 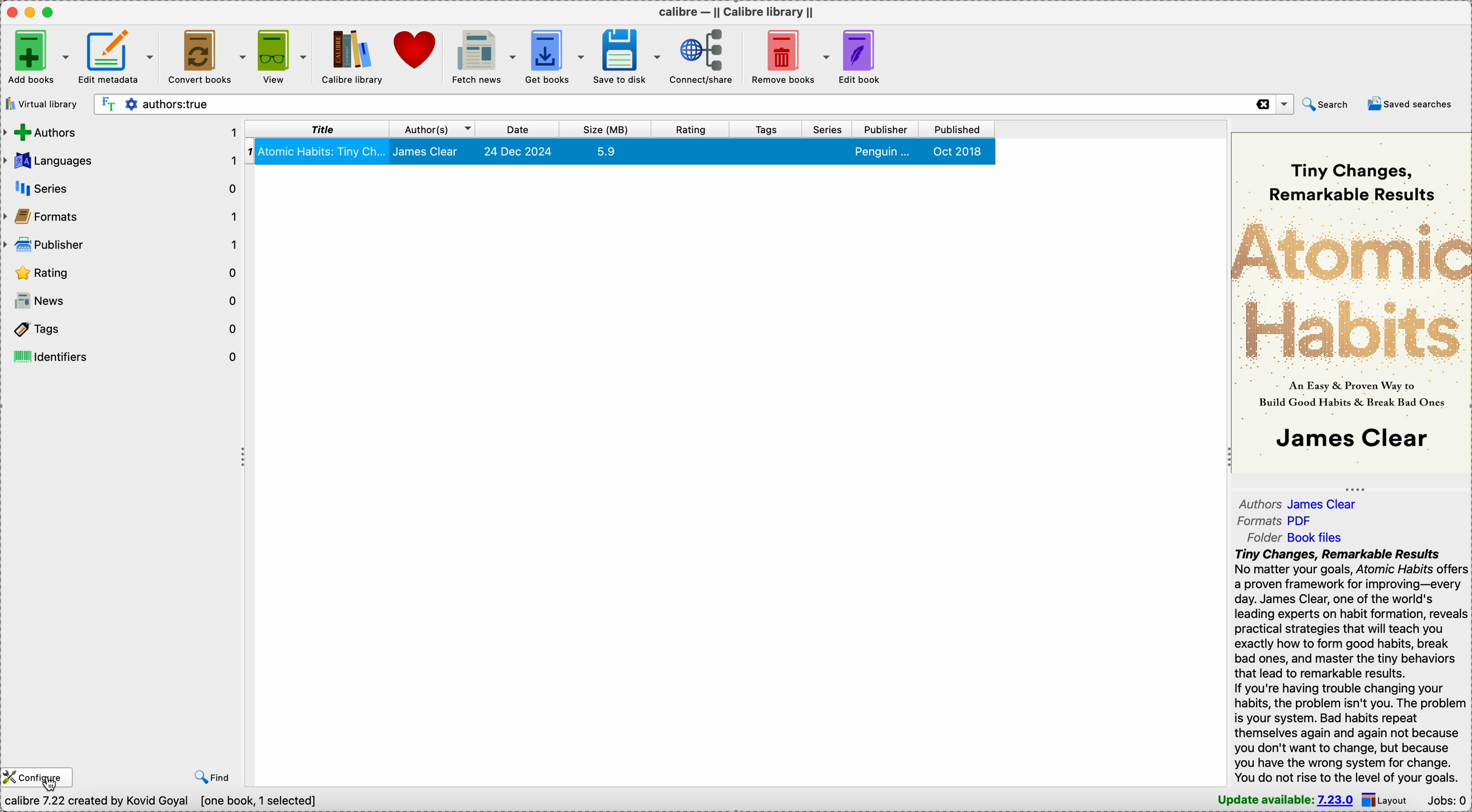 I want to click on publisher, so click(x=122, y=243).